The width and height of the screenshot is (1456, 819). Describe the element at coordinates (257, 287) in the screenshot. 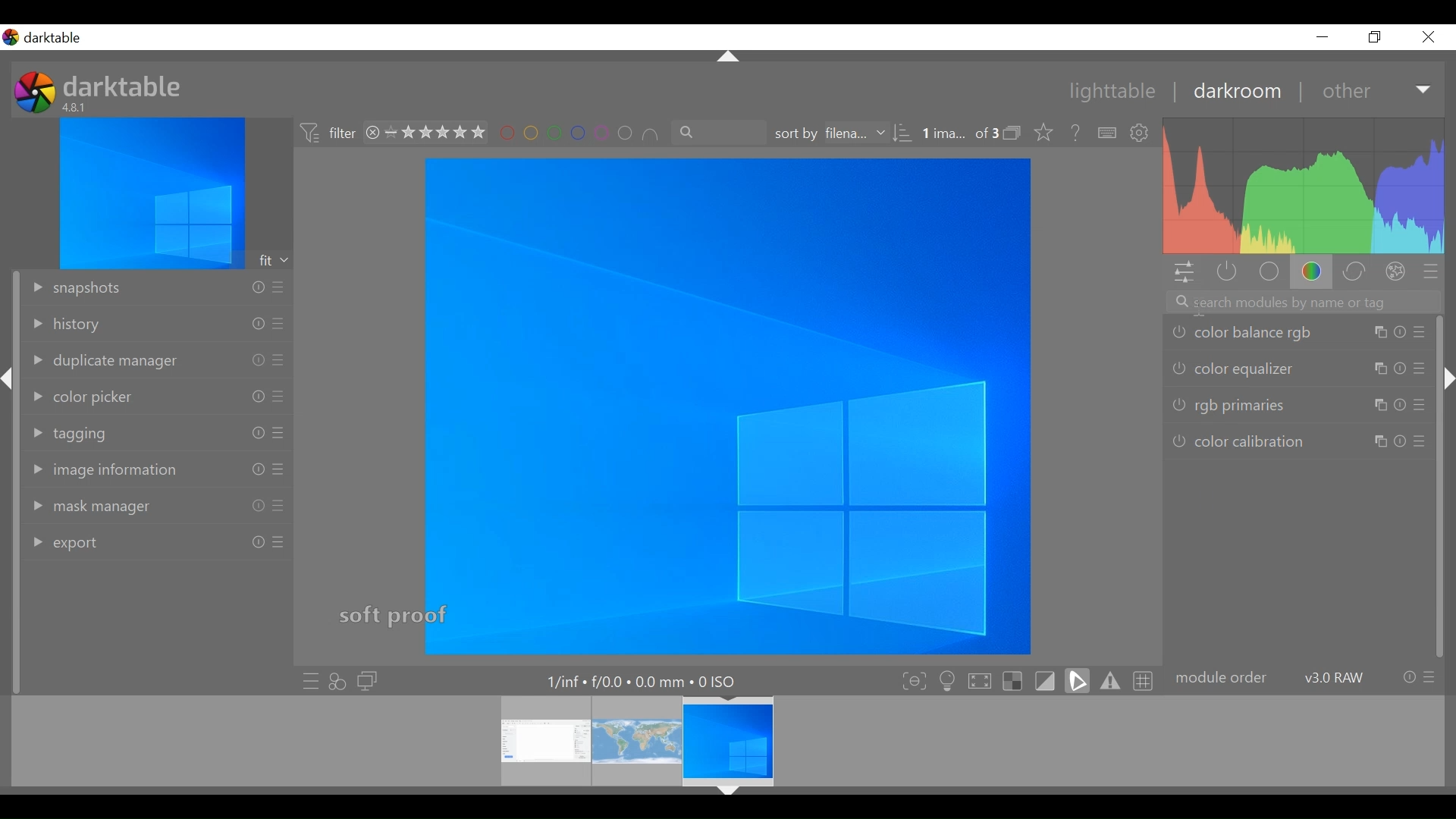

I see `info` at that location.